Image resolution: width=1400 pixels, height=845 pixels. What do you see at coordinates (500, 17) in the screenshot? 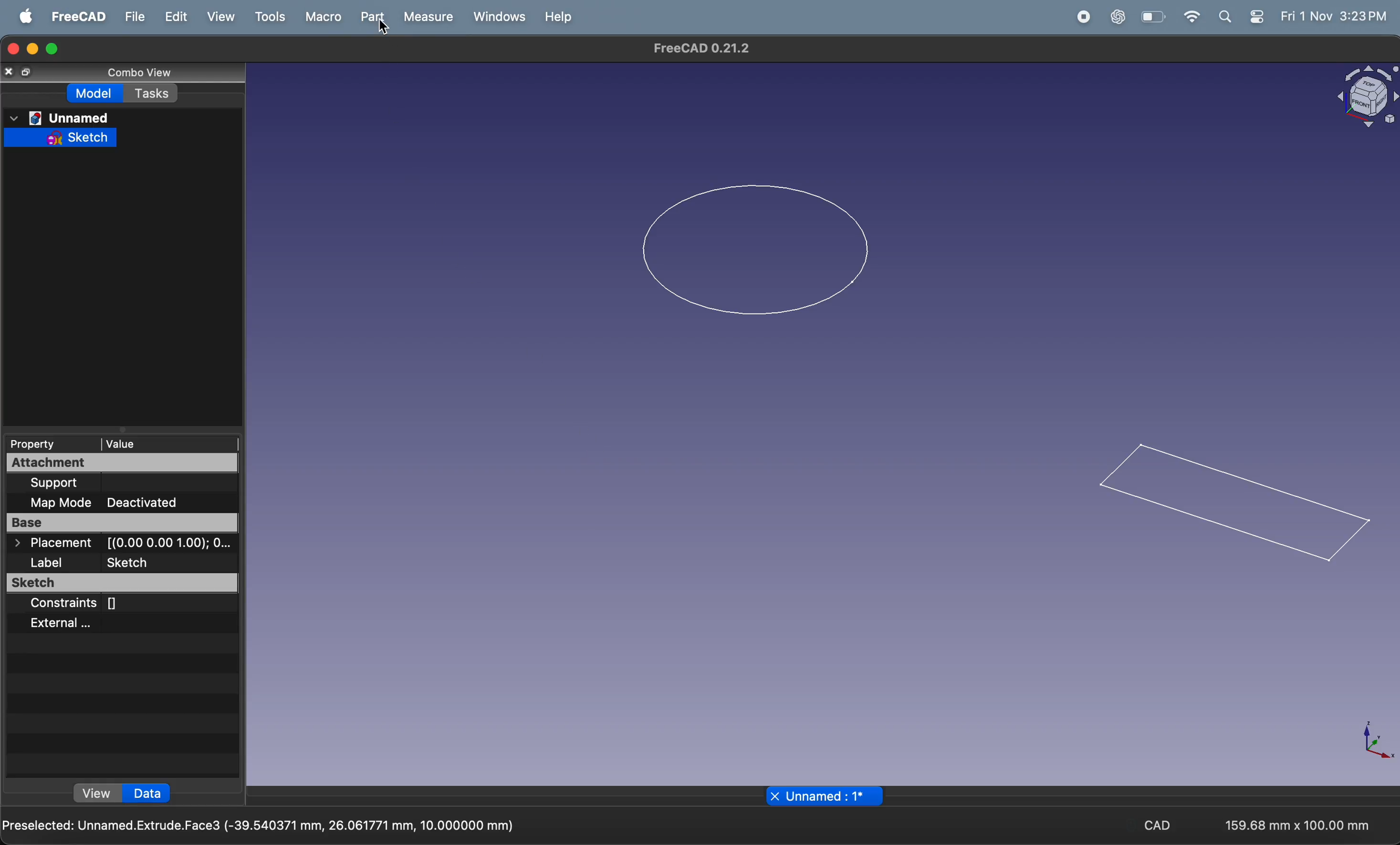
I see `Window` at bounding box center [500, 17].